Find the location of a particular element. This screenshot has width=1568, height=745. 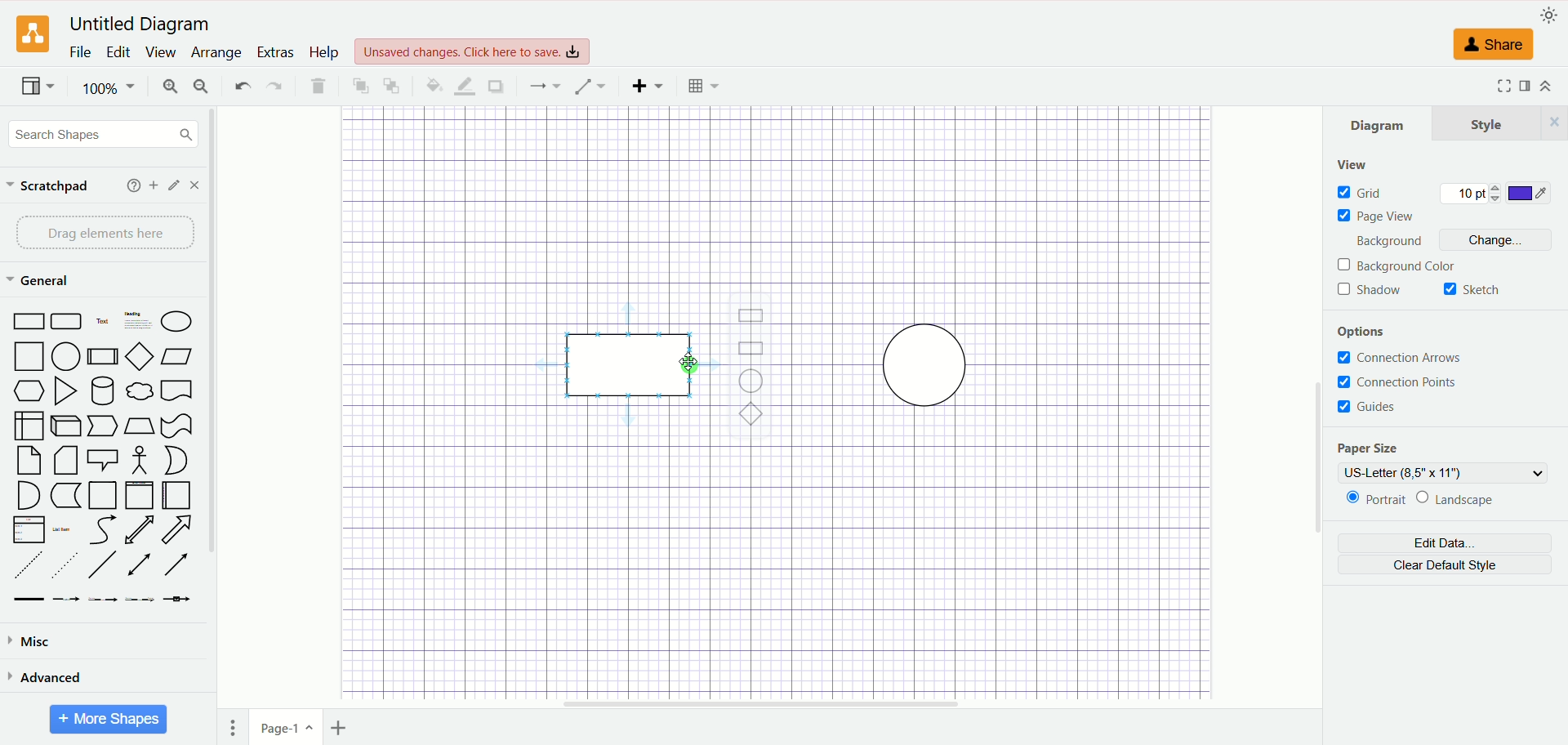

Curved Arrow is located at coordinates (105, 531).